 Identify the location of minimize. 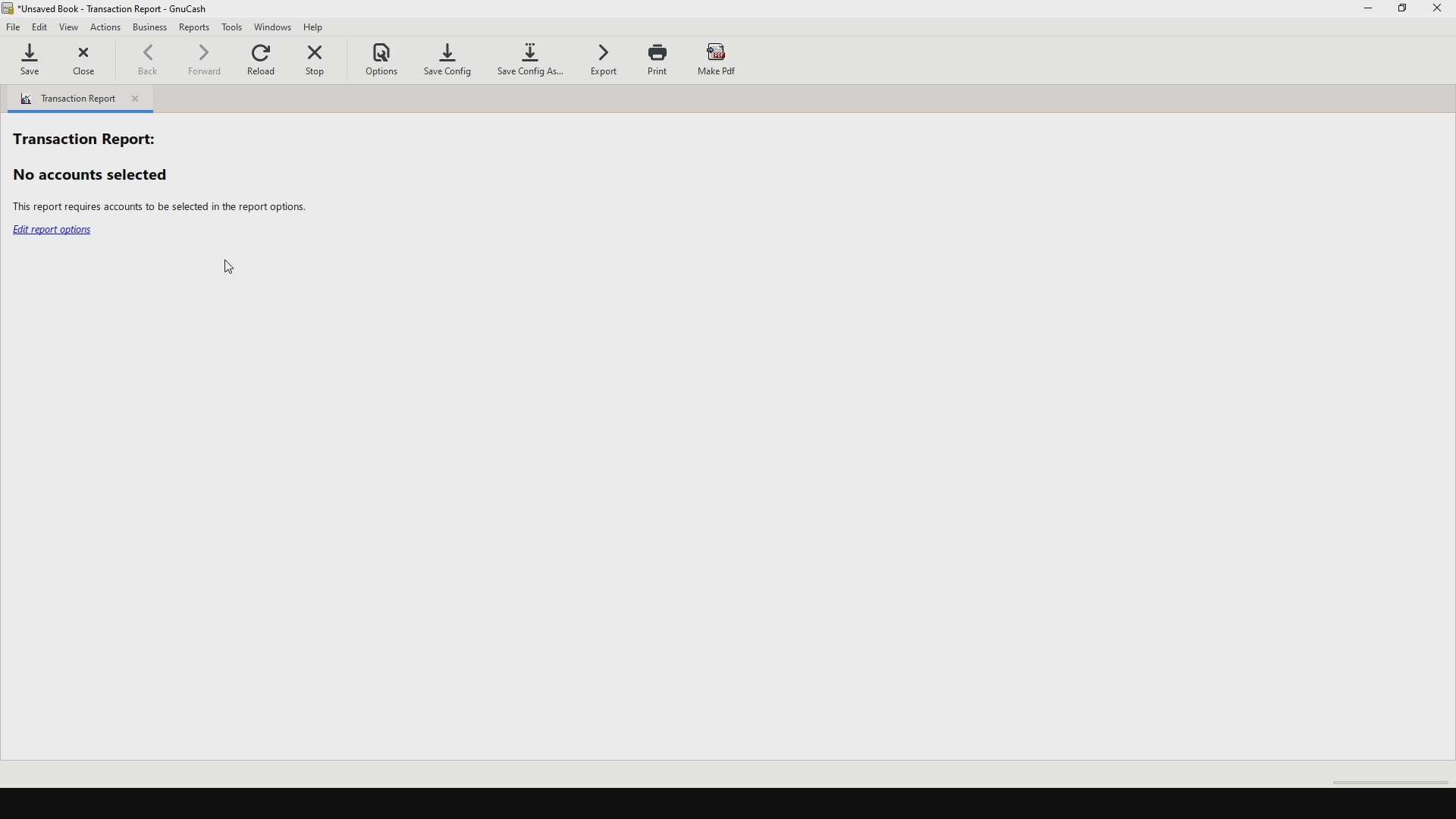
(1369, 11).